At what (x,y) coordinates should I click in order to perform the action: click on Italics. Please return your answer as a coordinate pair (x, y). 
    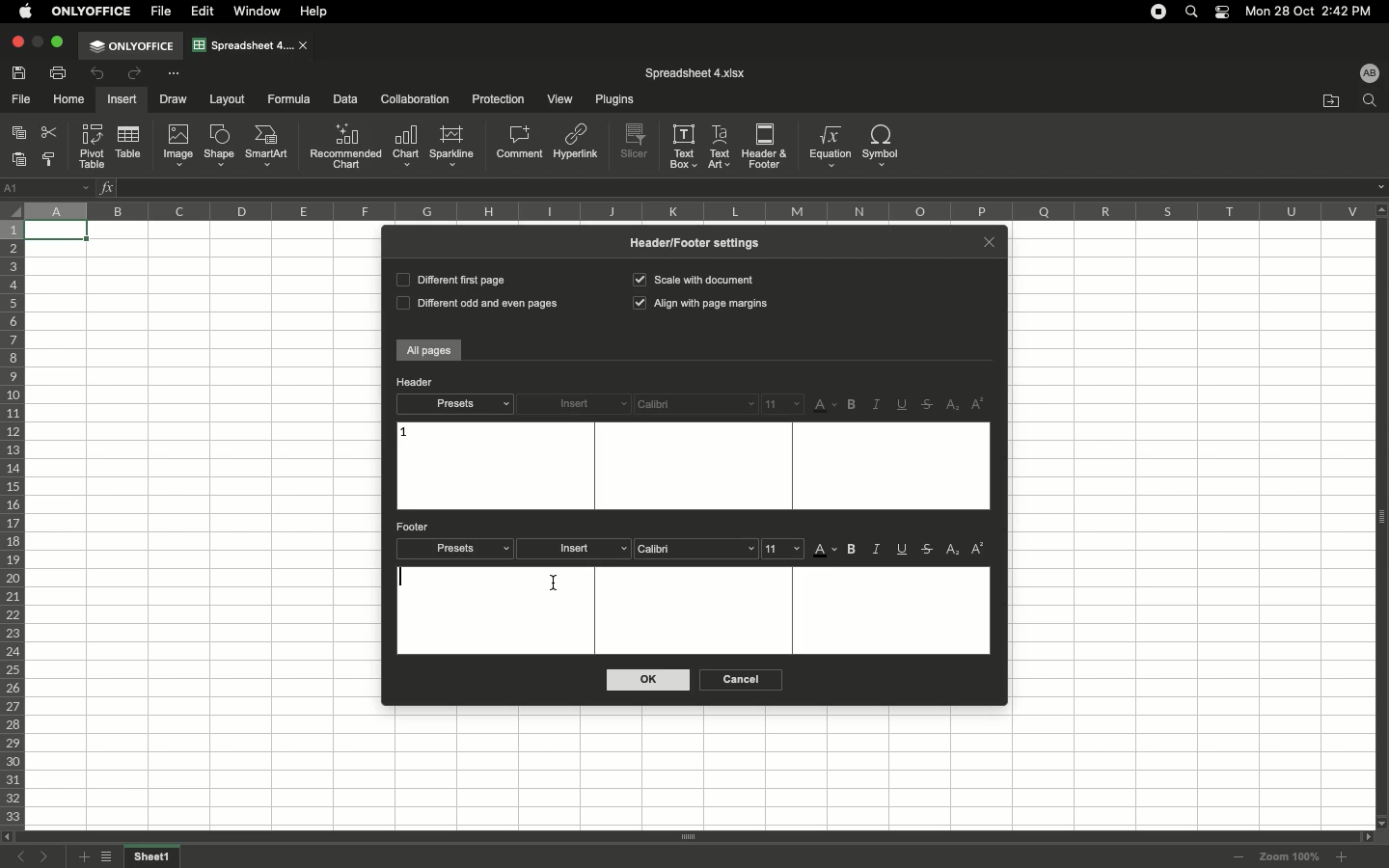
    Looking at the image, I should click on (878, 549).